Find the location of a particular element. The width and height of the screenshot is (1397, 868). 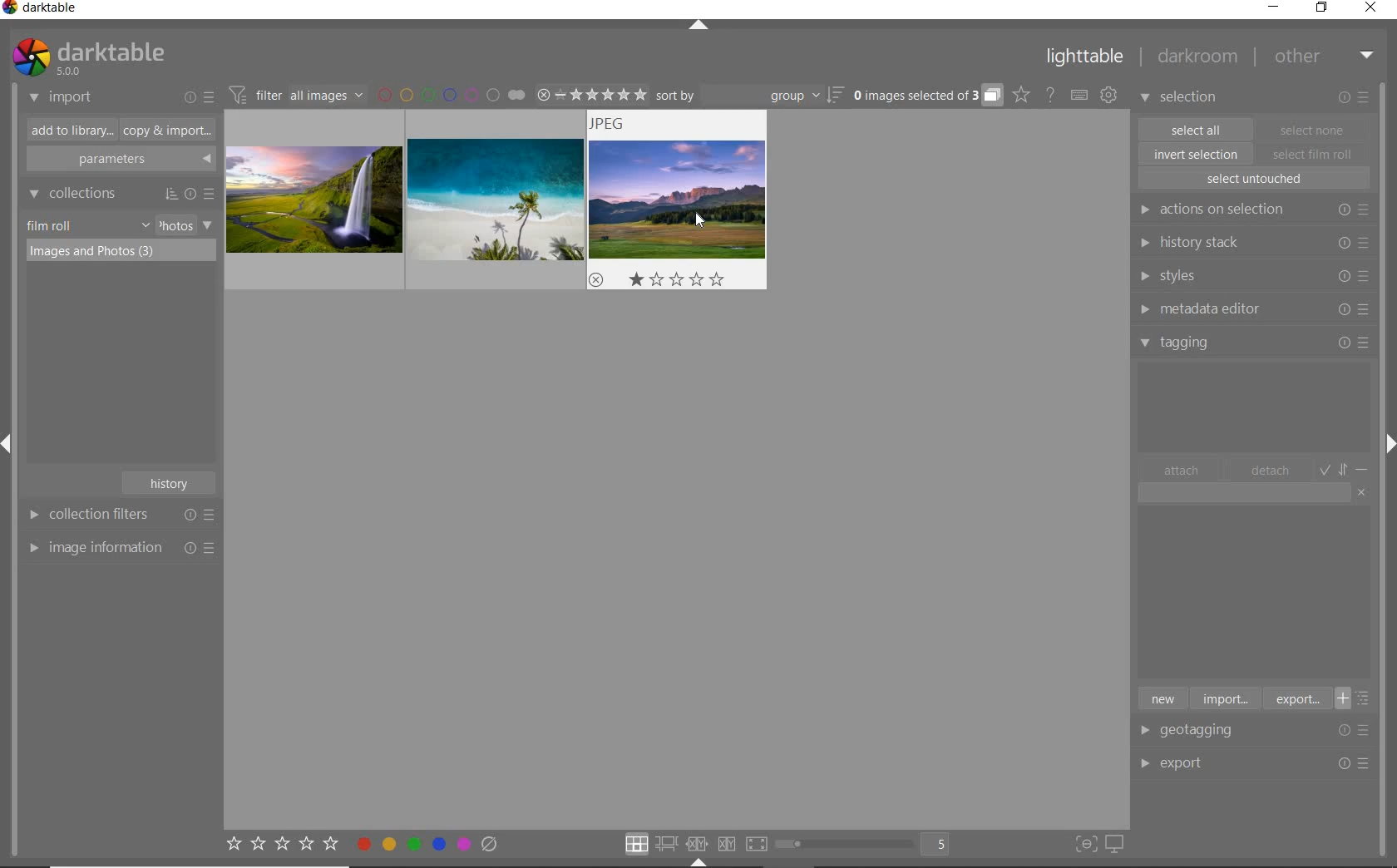

close is located at coordinates (1374, 9).